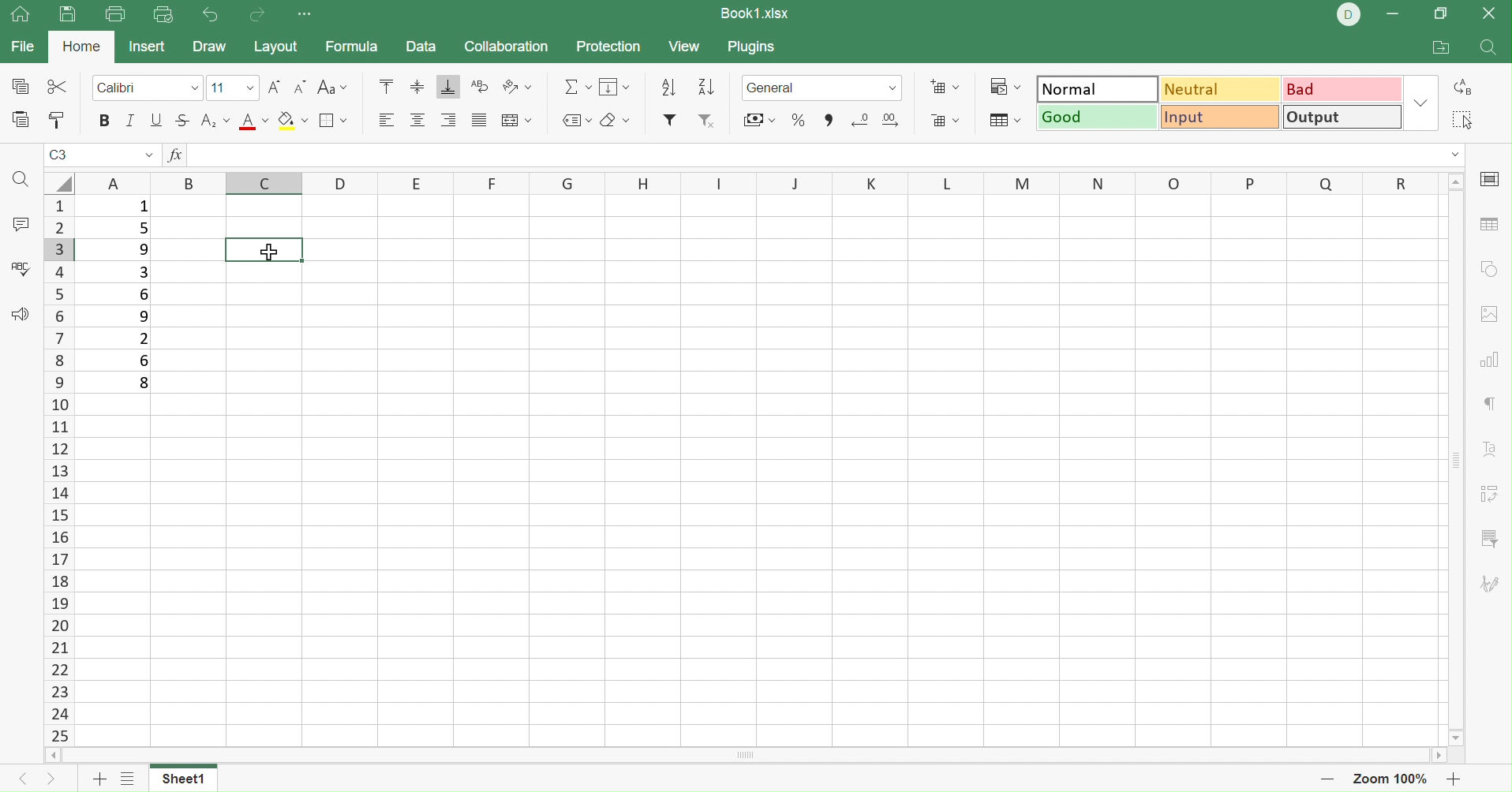 Image resolution: width=1512 pixels, height=792 pixels. Describe the element at coordinates (331, 121) in the screenshot. I see `Borders` at that location.